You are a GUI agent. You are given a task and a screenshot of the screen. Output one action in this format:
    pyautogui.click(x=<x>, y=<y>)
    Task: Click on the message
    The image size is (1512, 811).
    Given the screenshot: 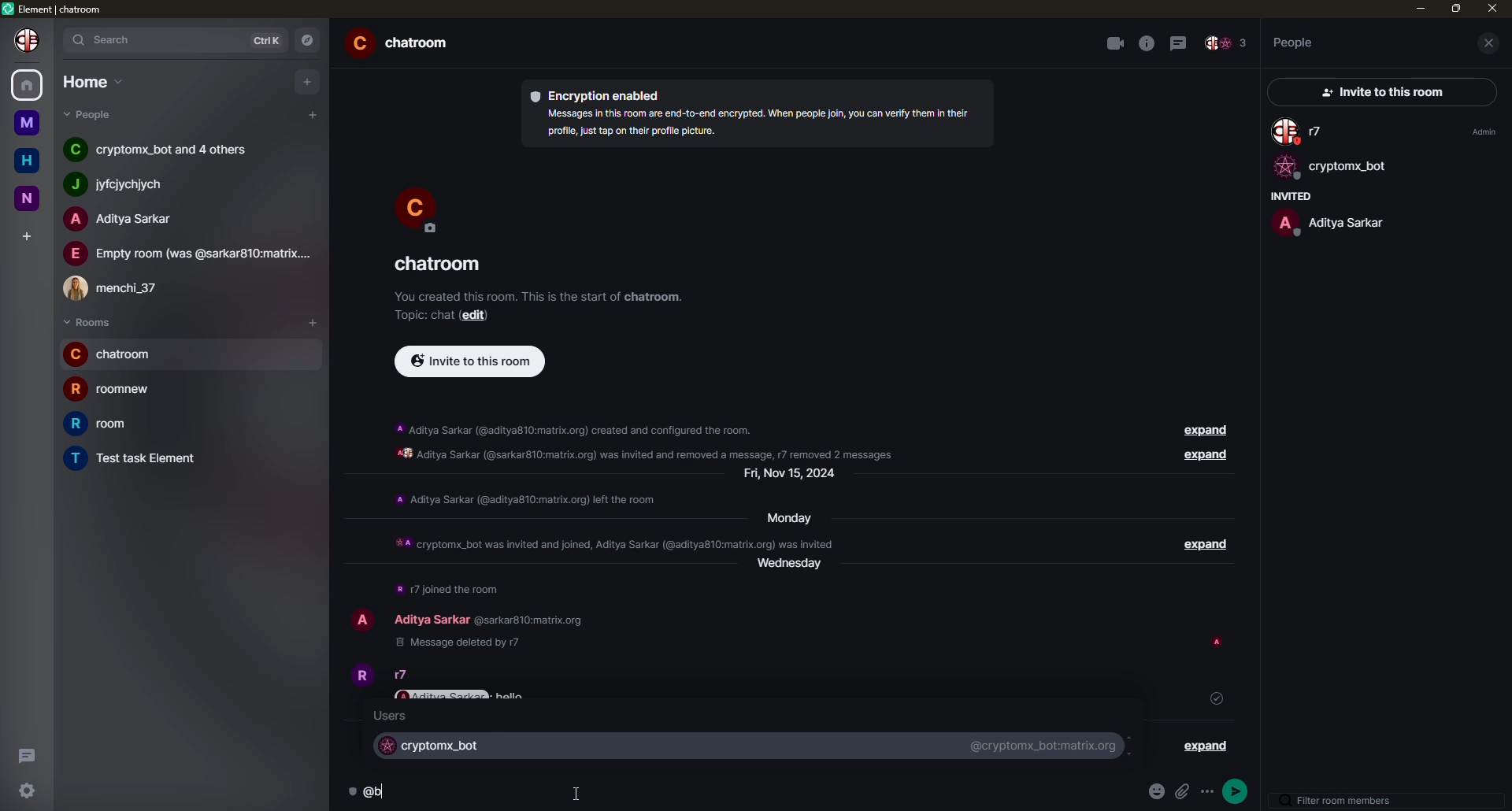 What is the action you would take?
    pyautogui.click(x=511, y=698)
    